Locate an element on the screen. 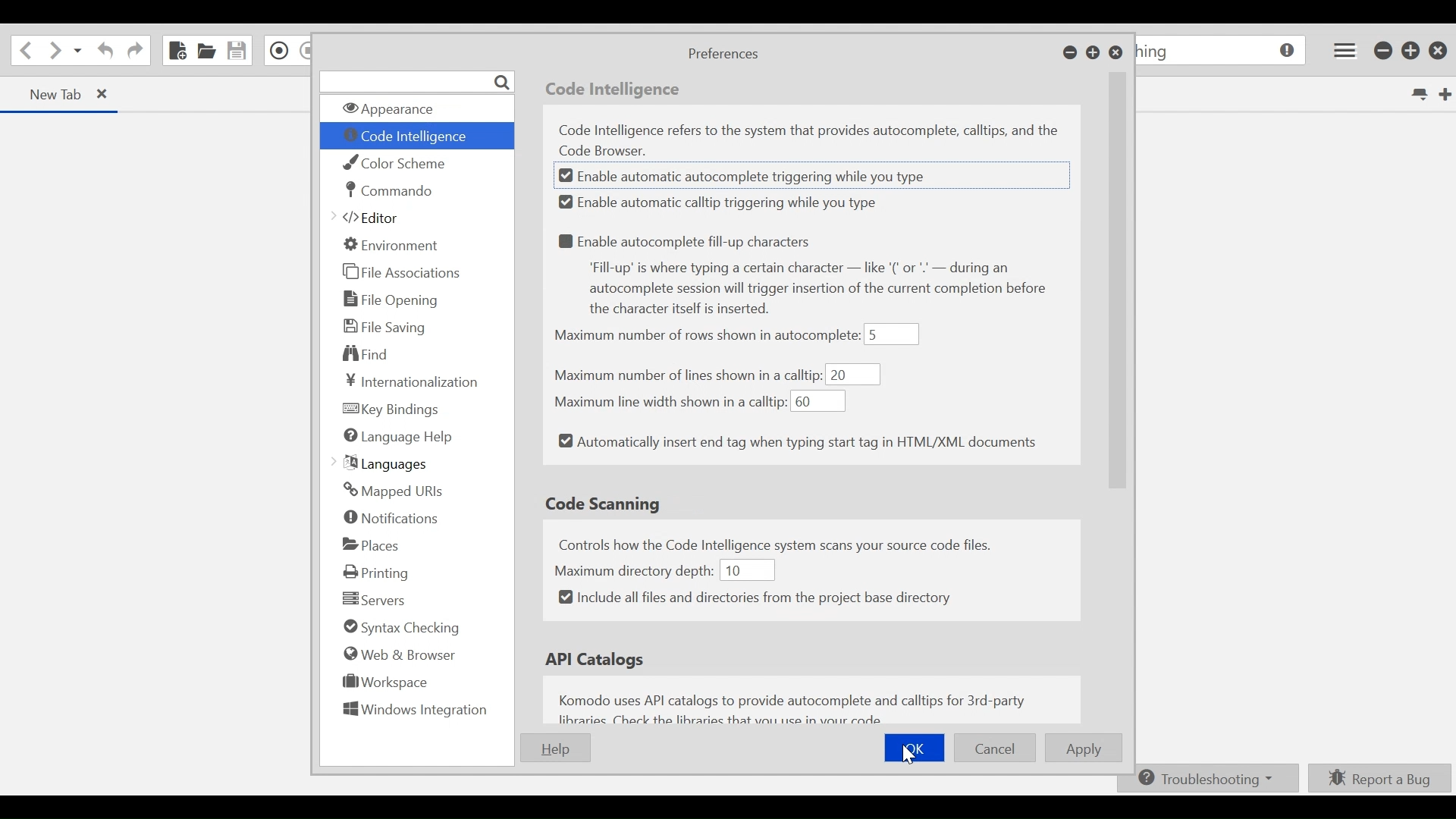 The width and height of the screenshot is (1456, 819). Places is located at coordinates (372, 544).